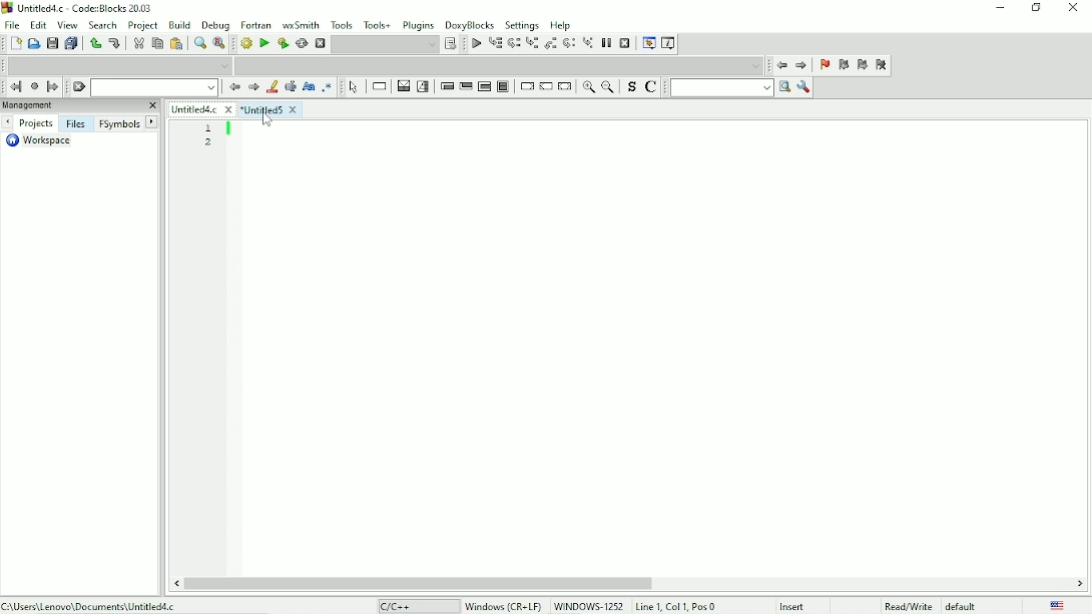  What do you see at coordinates (721, 88) in the screenshot?
I see `Run search` at bounding box center [721, 88].